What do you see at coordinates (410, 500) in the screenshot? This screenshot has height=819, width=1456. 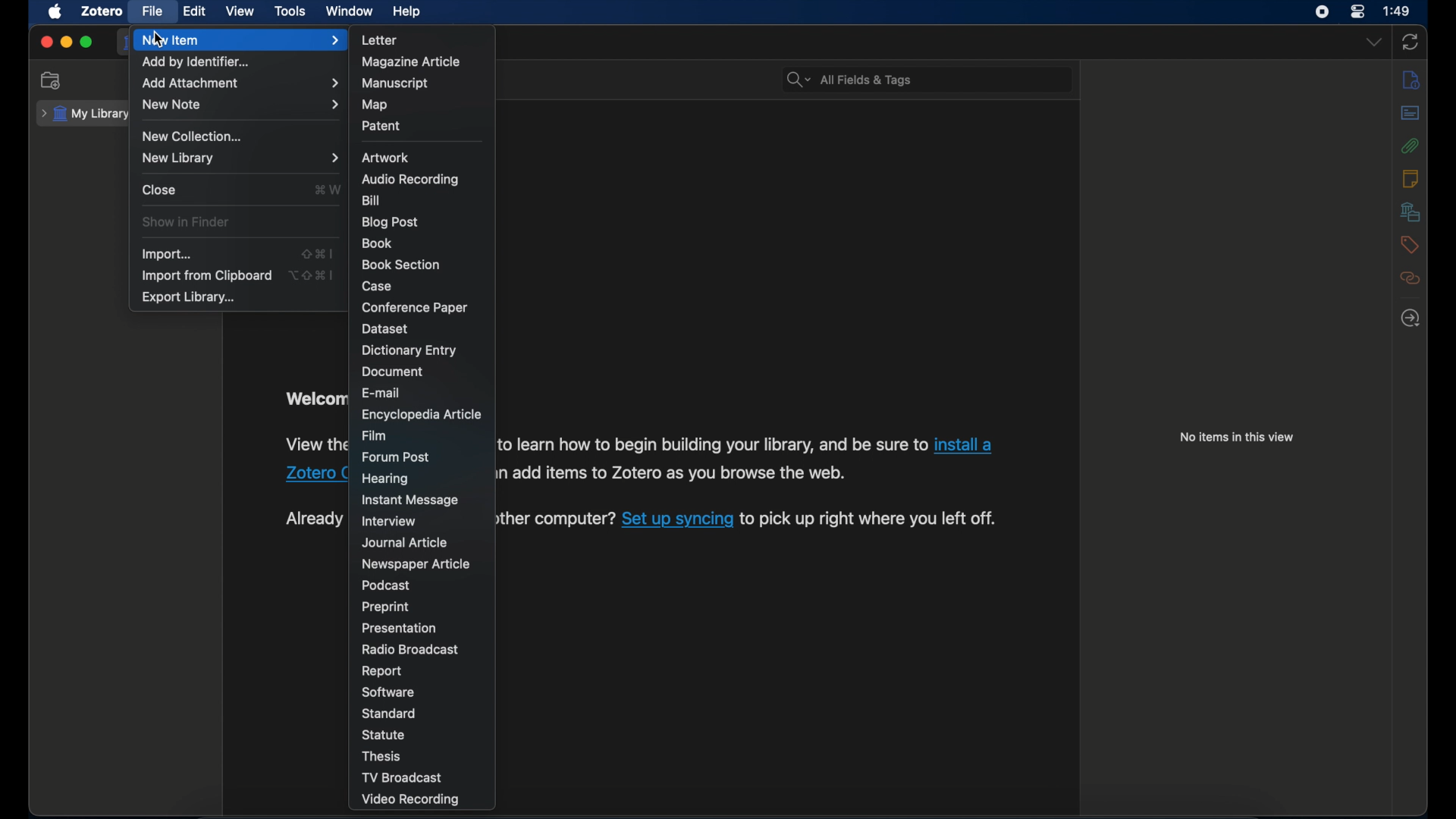 I see `instant message` at bounding box center [410, 500].